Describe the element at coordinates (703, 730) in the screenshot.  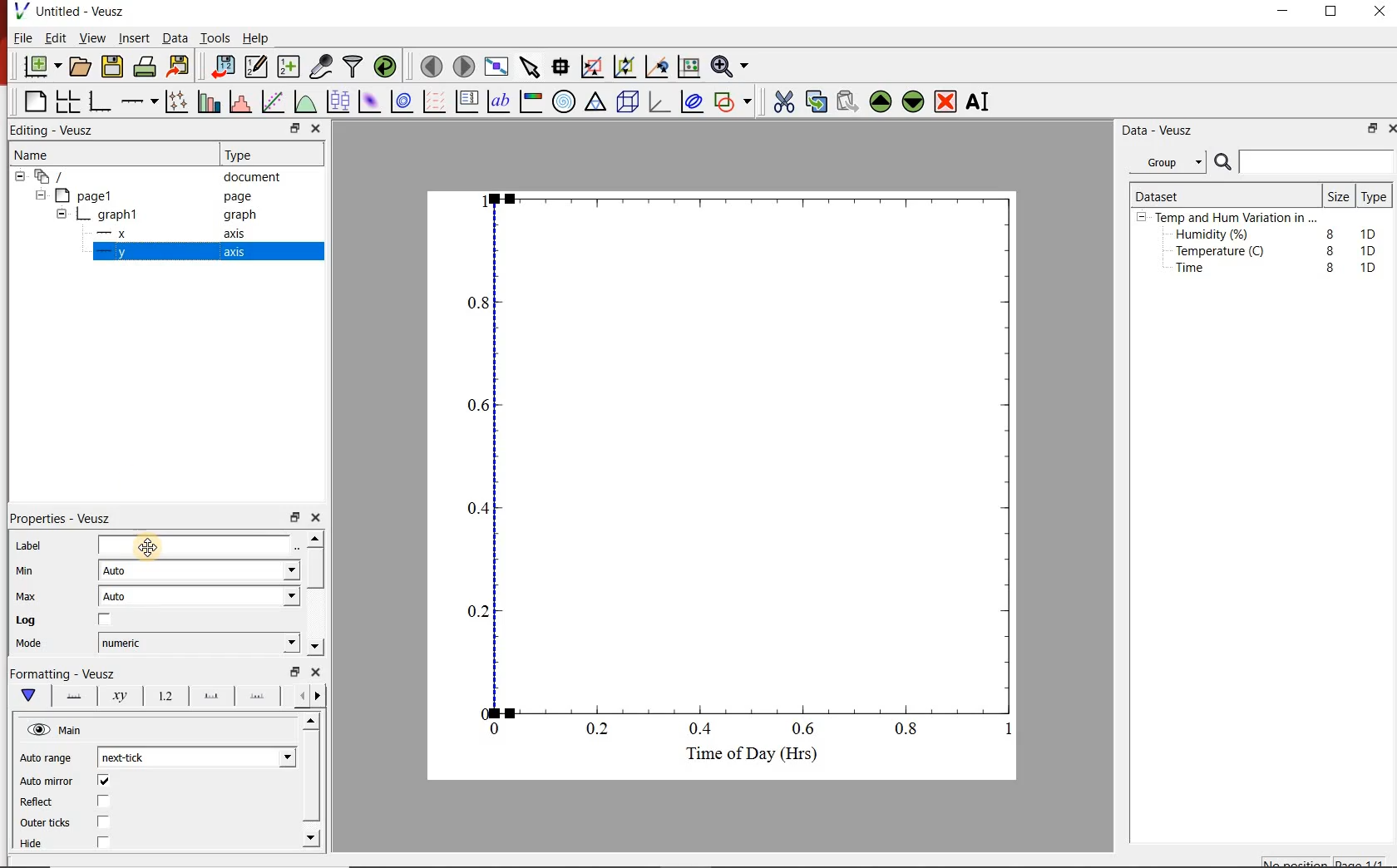
I see `0.4` at that location.